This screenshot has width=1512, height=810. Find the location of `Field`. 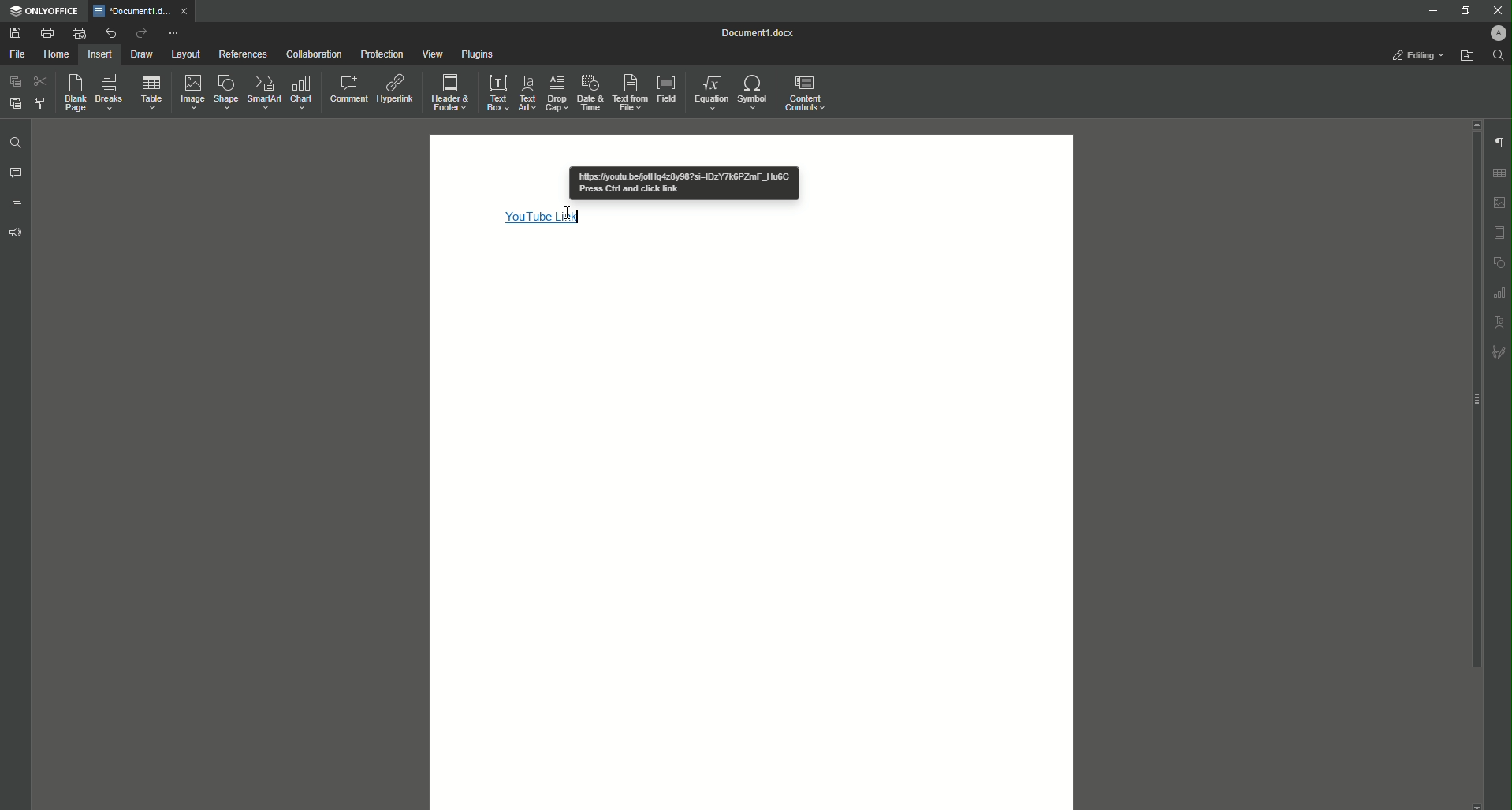

Field is located at coordinates (667, 89).